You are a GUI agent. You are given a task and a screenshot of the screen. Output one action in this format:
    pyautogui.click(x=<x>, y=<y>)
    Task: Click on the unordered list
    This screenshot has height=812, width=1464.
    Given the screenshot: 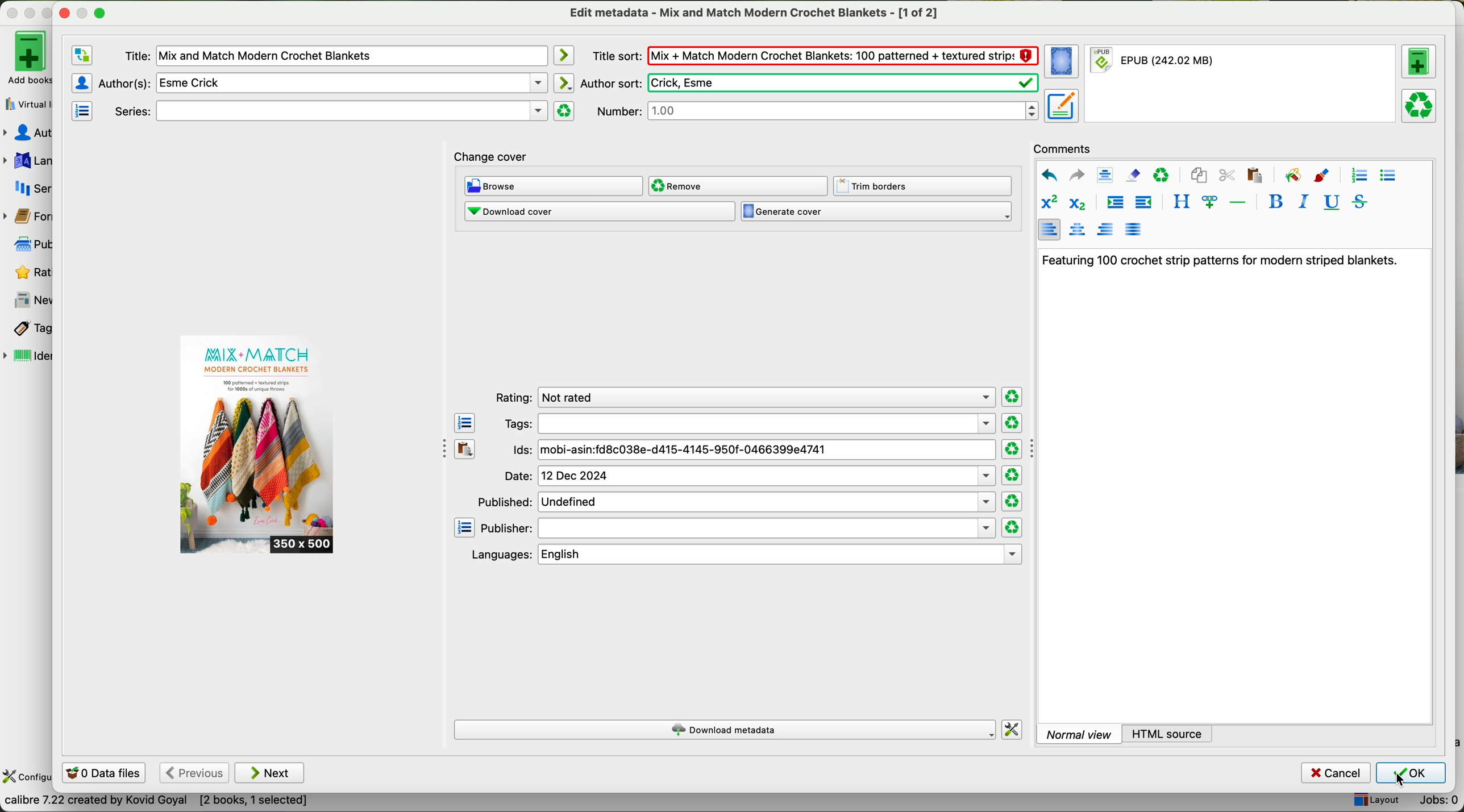 What is the action you would take?
    pyautogui.click(x=1387, y=176)
    